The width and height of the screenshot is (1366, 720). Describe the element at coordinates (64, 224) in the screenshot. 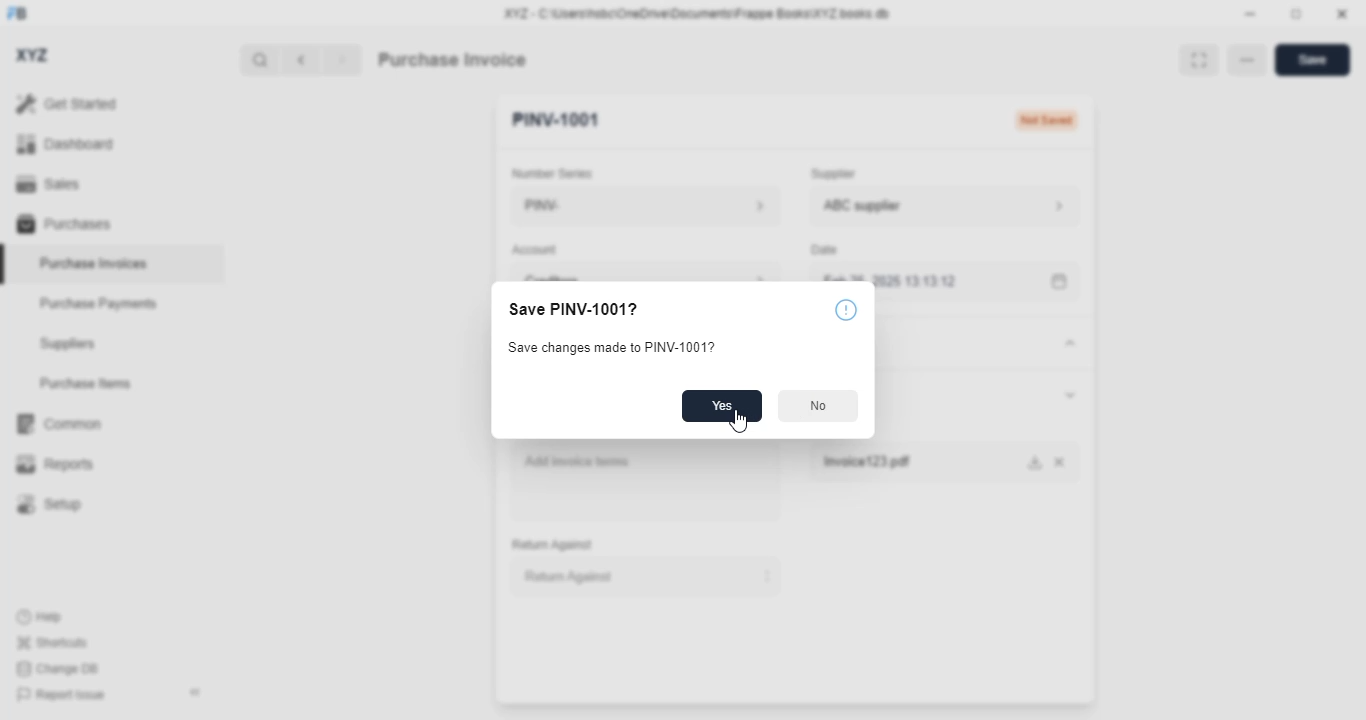

I see `purchases` at that location.